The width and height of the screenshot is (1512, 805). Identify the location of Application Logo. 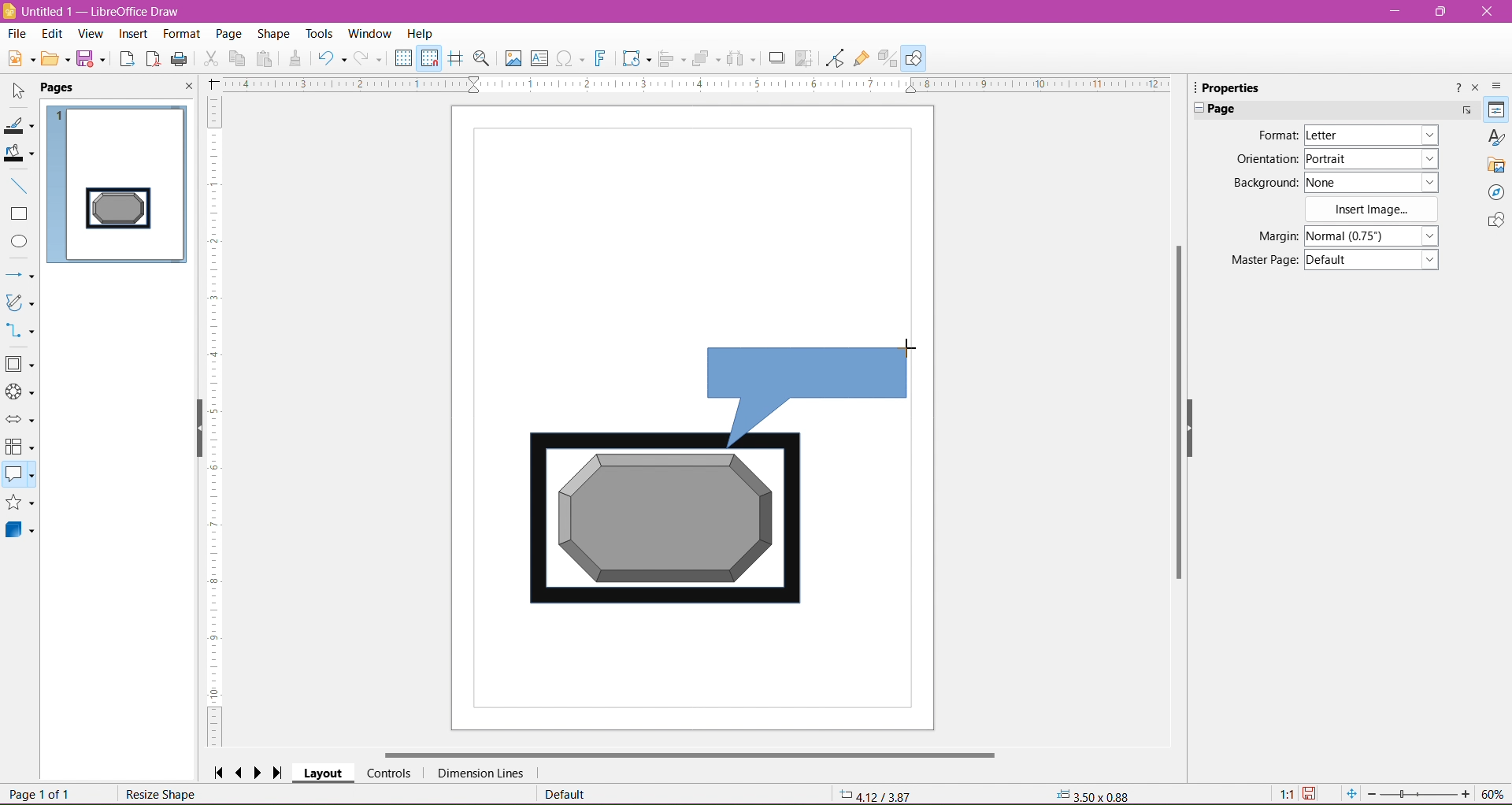
(9, 10).